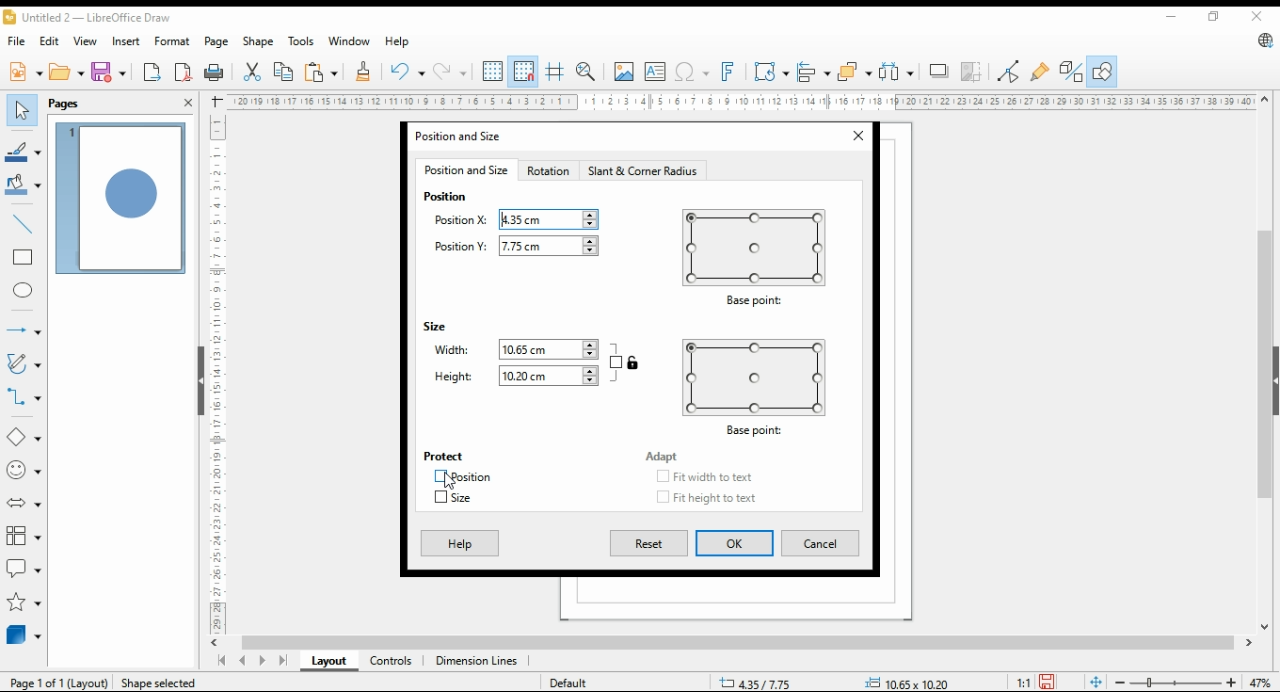  Describe the element at coordinates (1043, 70) in the screenshot. I see `show gluepoint functions` at that location.